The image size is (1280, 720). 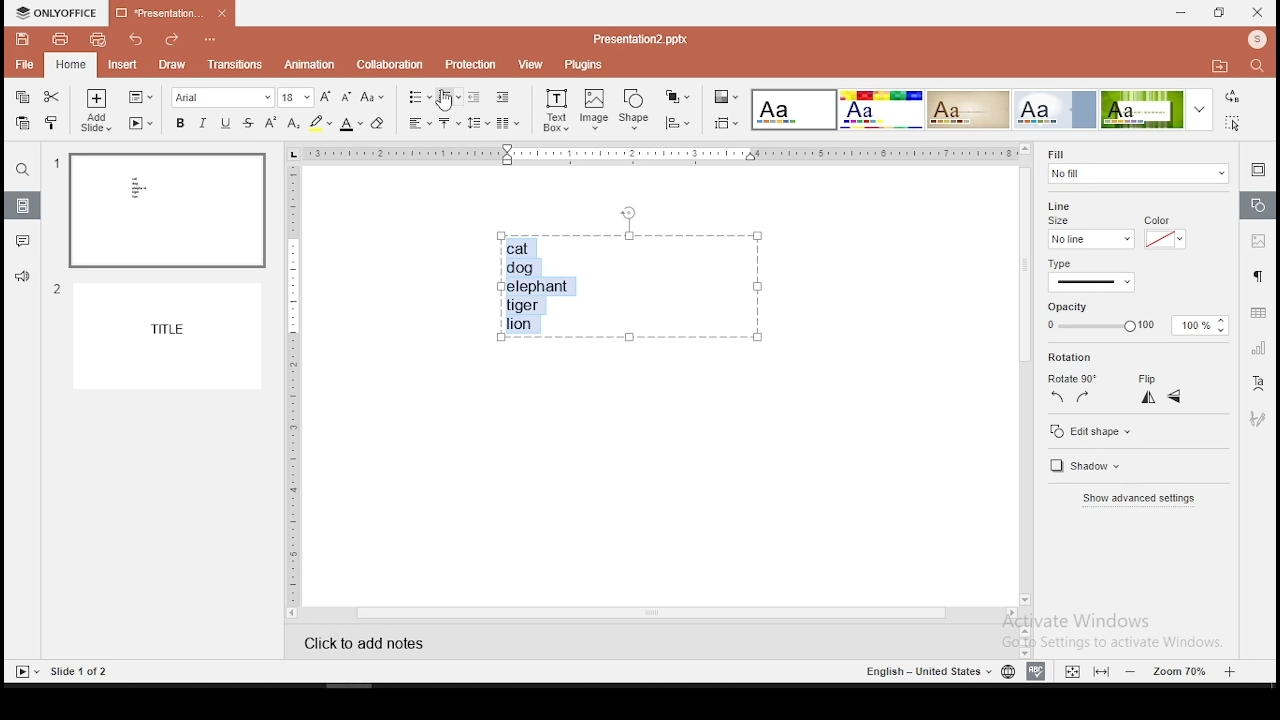 What do you see at coordinates (136, 39) in the screenshot?
I see `undo` at bounding box center [136, 39].